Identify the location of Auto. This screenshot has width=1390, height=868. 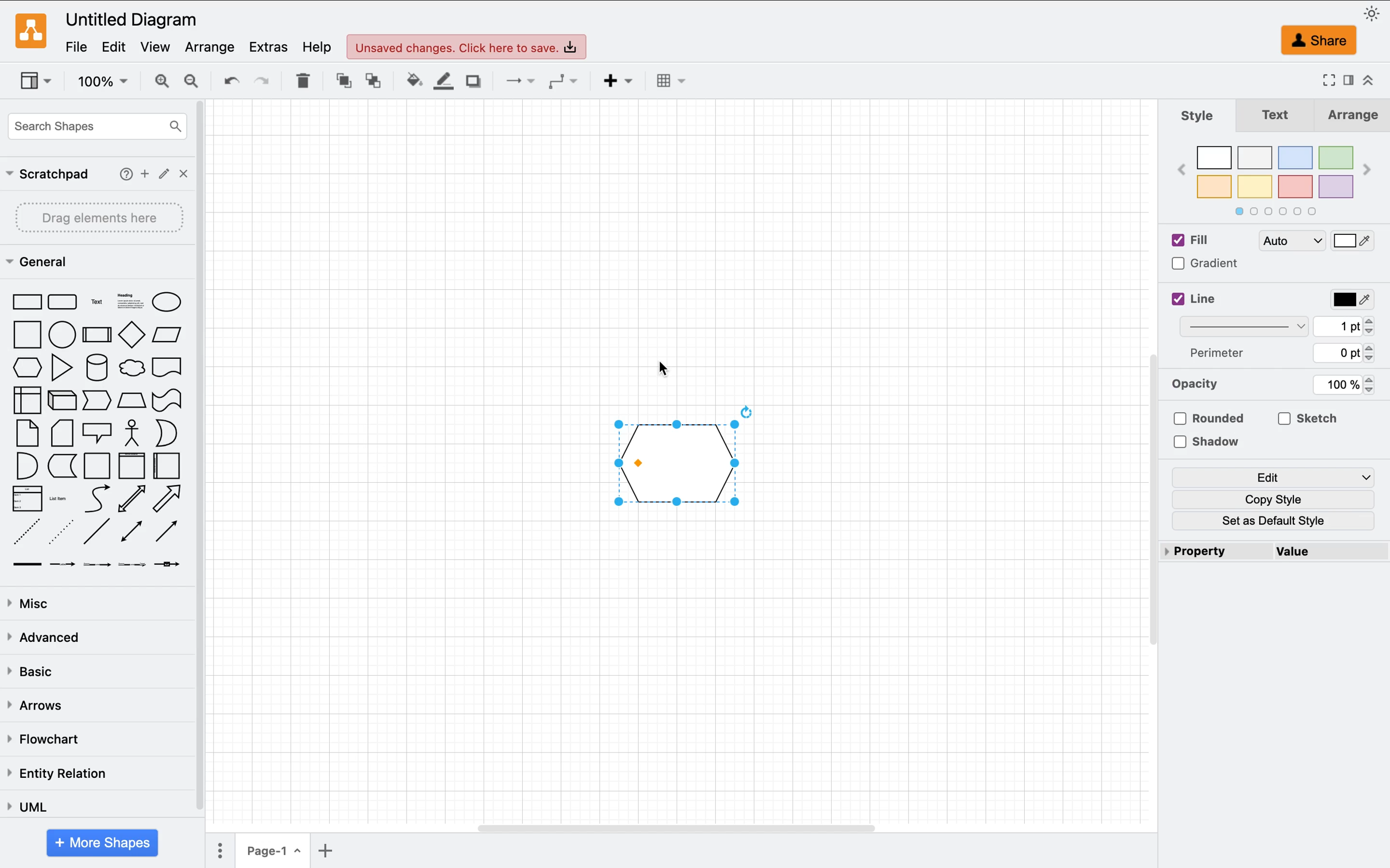
(1292, 239).